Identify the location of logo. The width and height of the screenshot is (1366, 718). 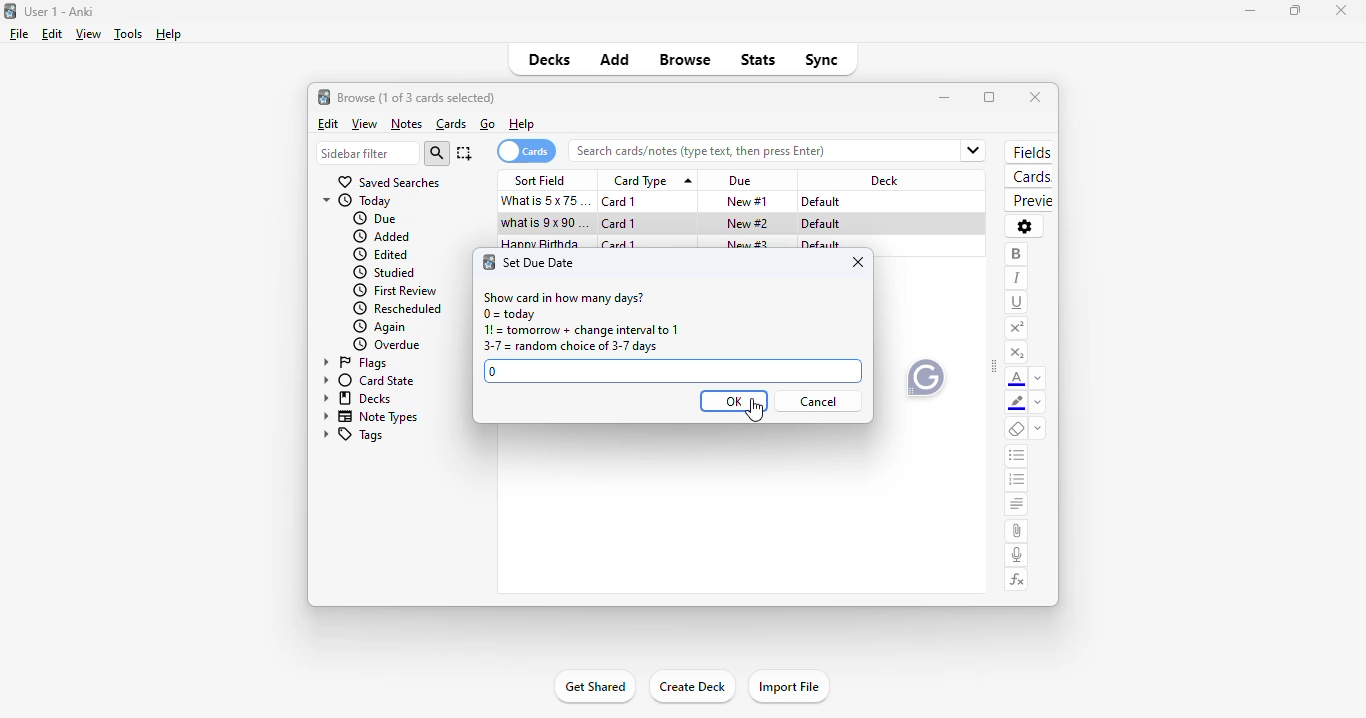
(323, 97).